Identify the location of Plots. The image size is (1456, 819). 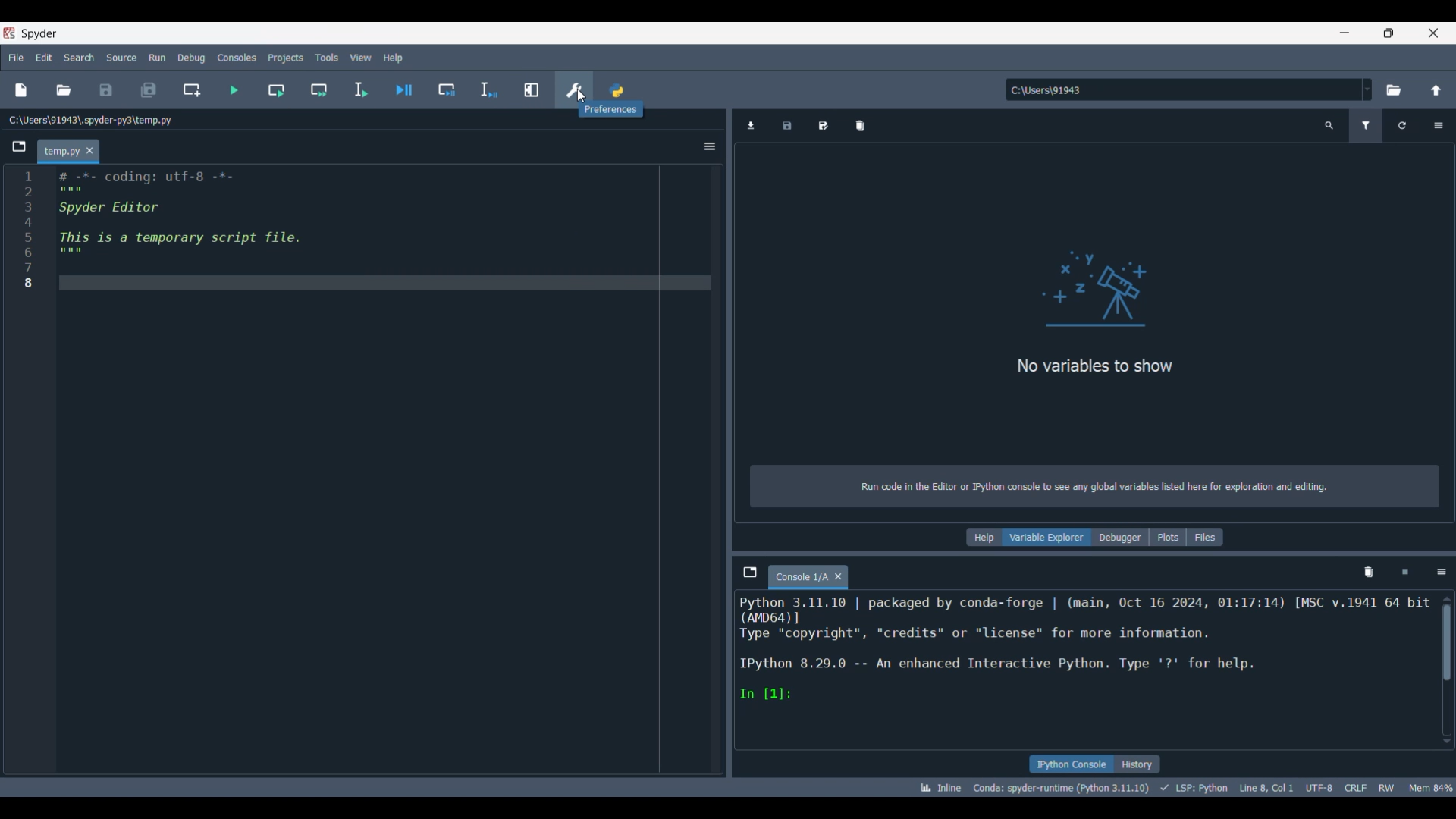
(1168, 537).